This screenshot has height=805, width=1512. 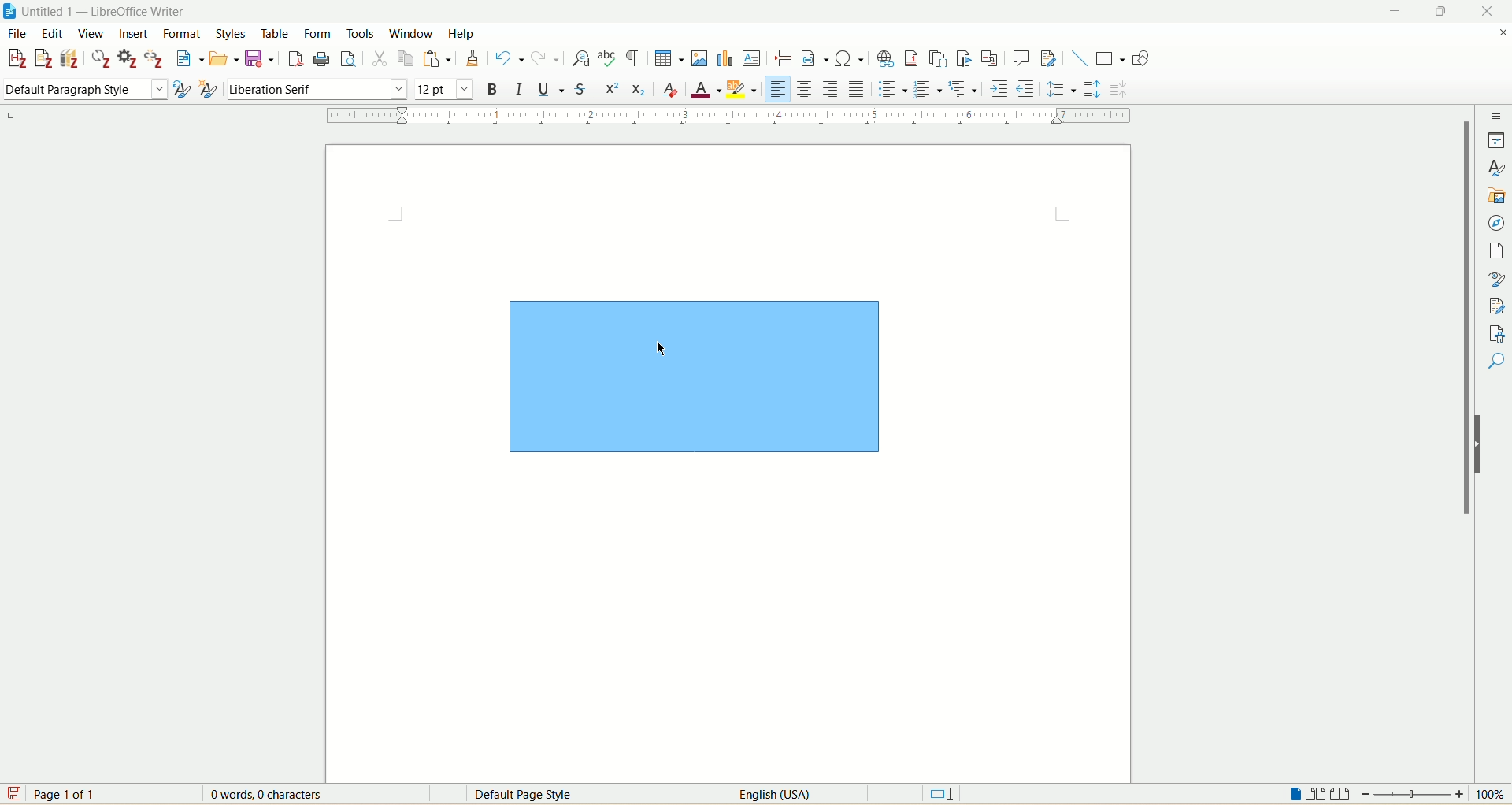 I want to click on page, so click(x=1495, y=252).